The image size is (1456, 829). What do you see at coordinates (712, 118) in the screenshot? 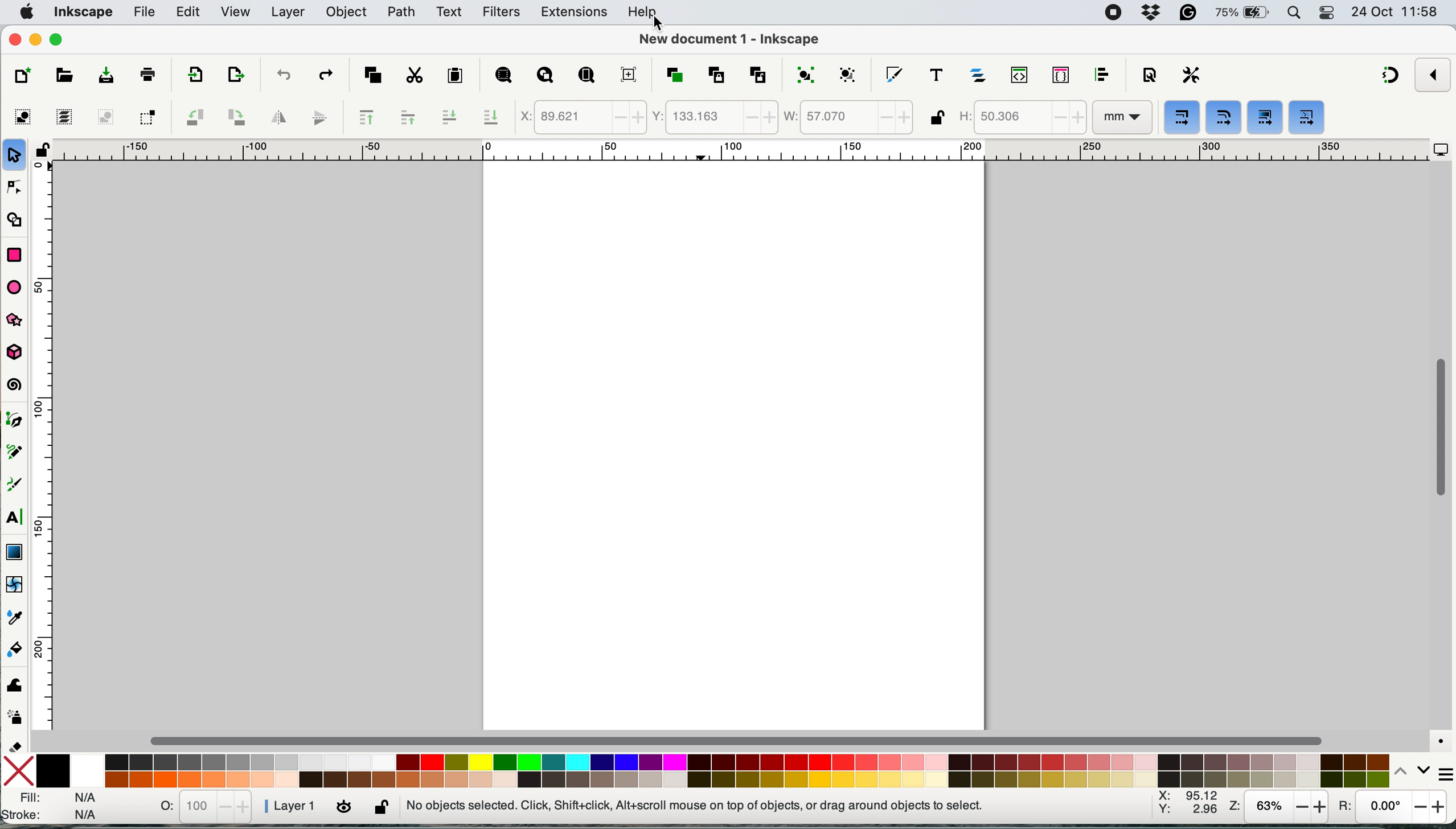
I see `y coordinate` at bounding box center [712, 118].